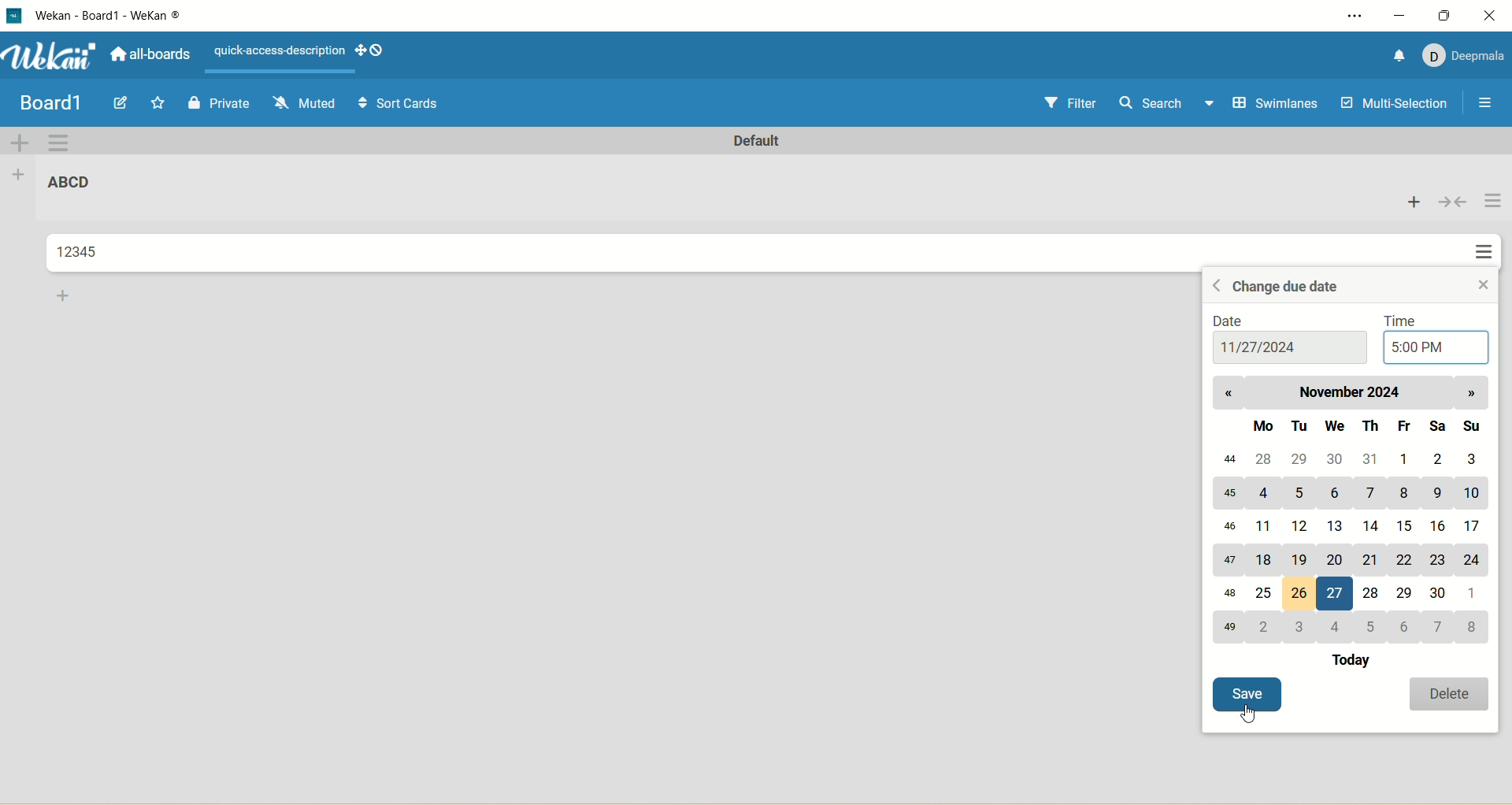 This screenshot has width=1512, height=805. Describe the element at coordinates (1401, 17) in the screenshot. I see `minimize` at that location.